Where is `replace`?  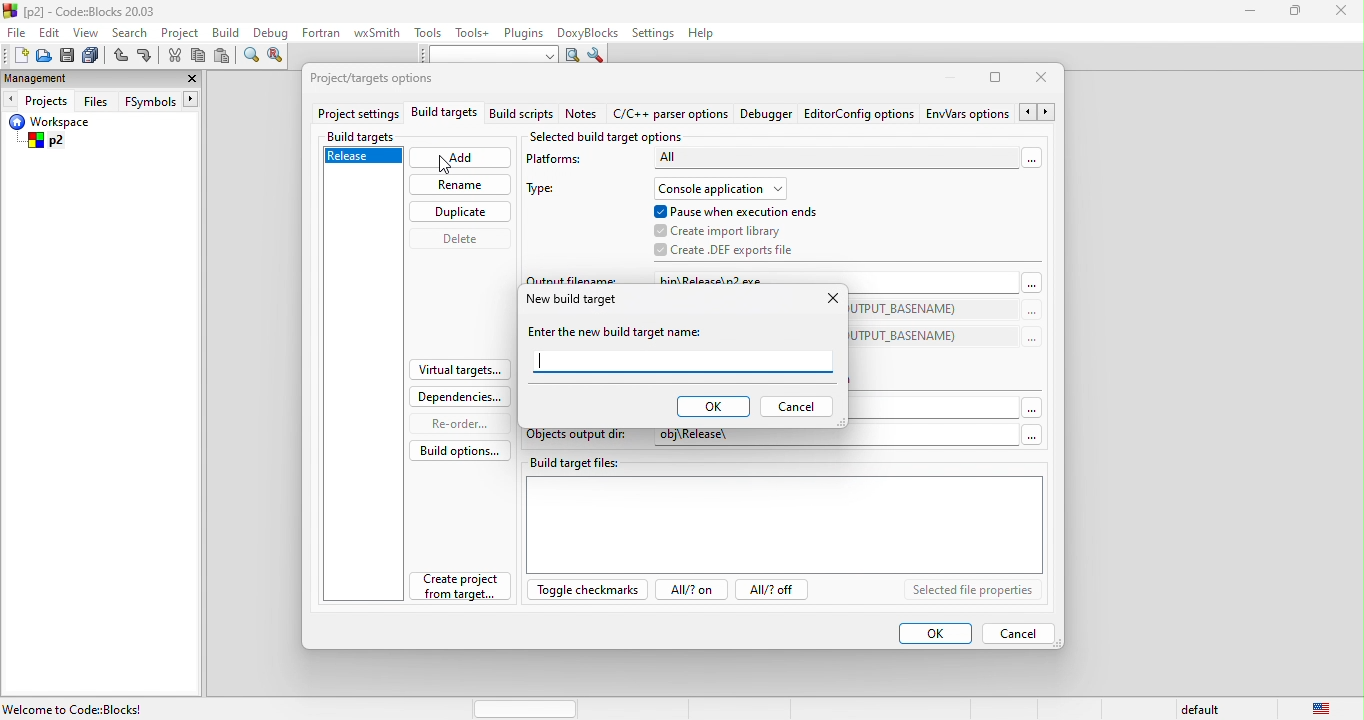
replace is located at coordinates (279, 56).